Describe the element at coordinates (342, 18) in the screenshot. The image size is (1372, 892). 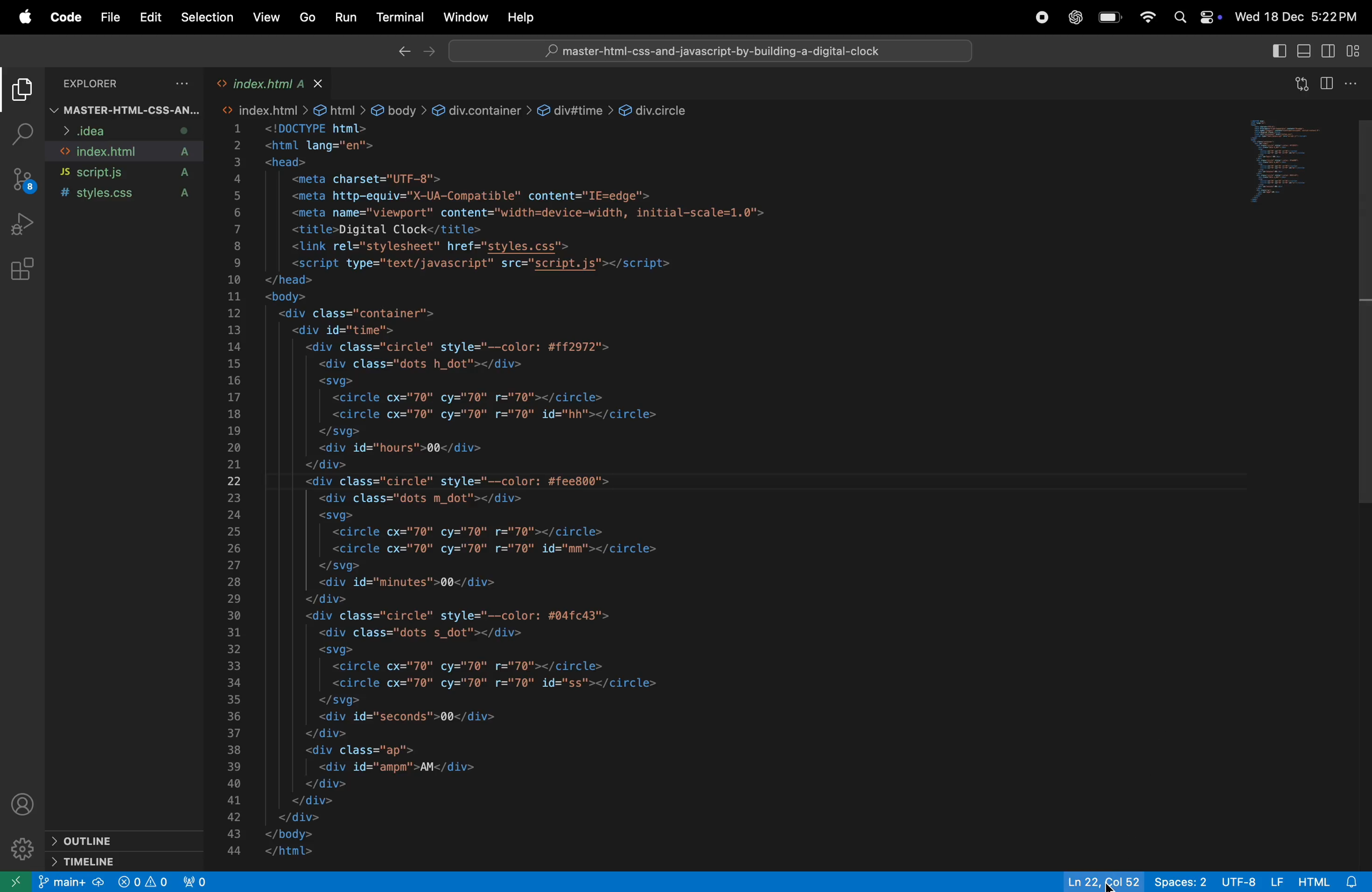
I see `run` at that location.